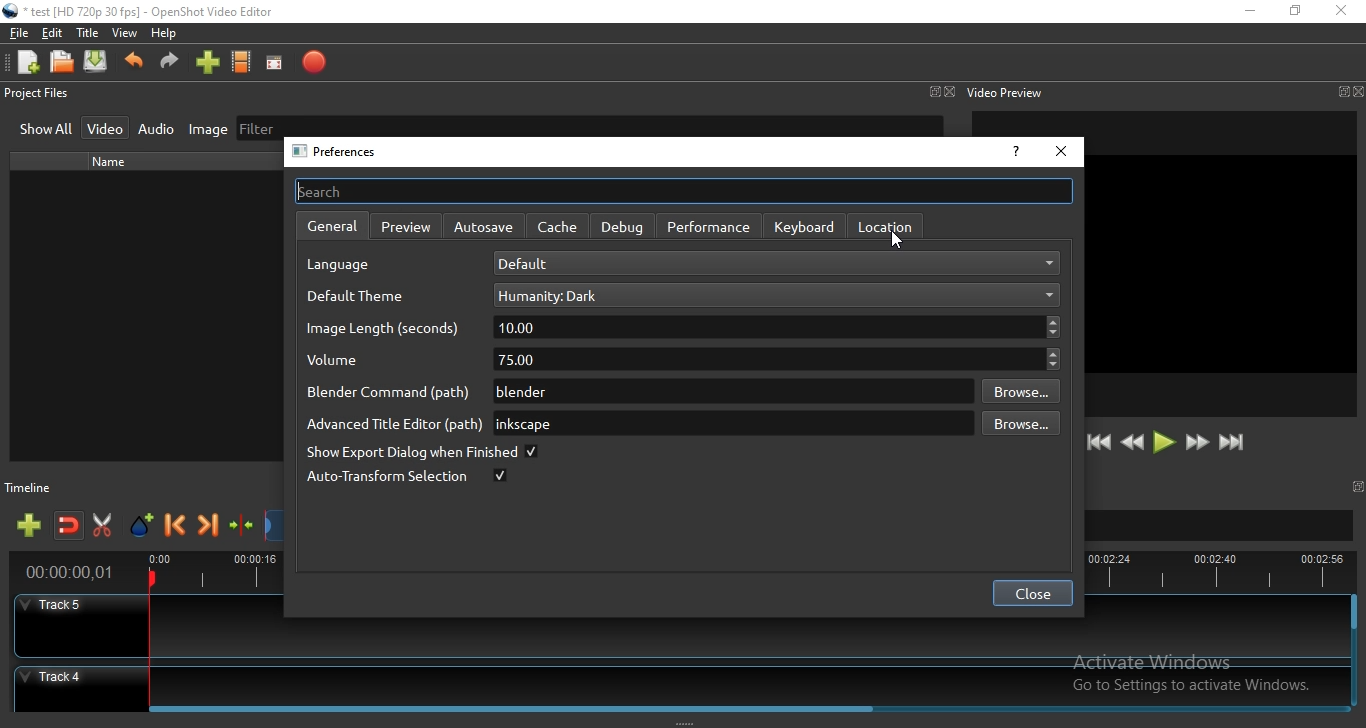 The image size is (1366, 728). What do you see at coordinates (1099, 443) in the screenshot?
I see `Jump to start` at bounding box center [1099, 443].